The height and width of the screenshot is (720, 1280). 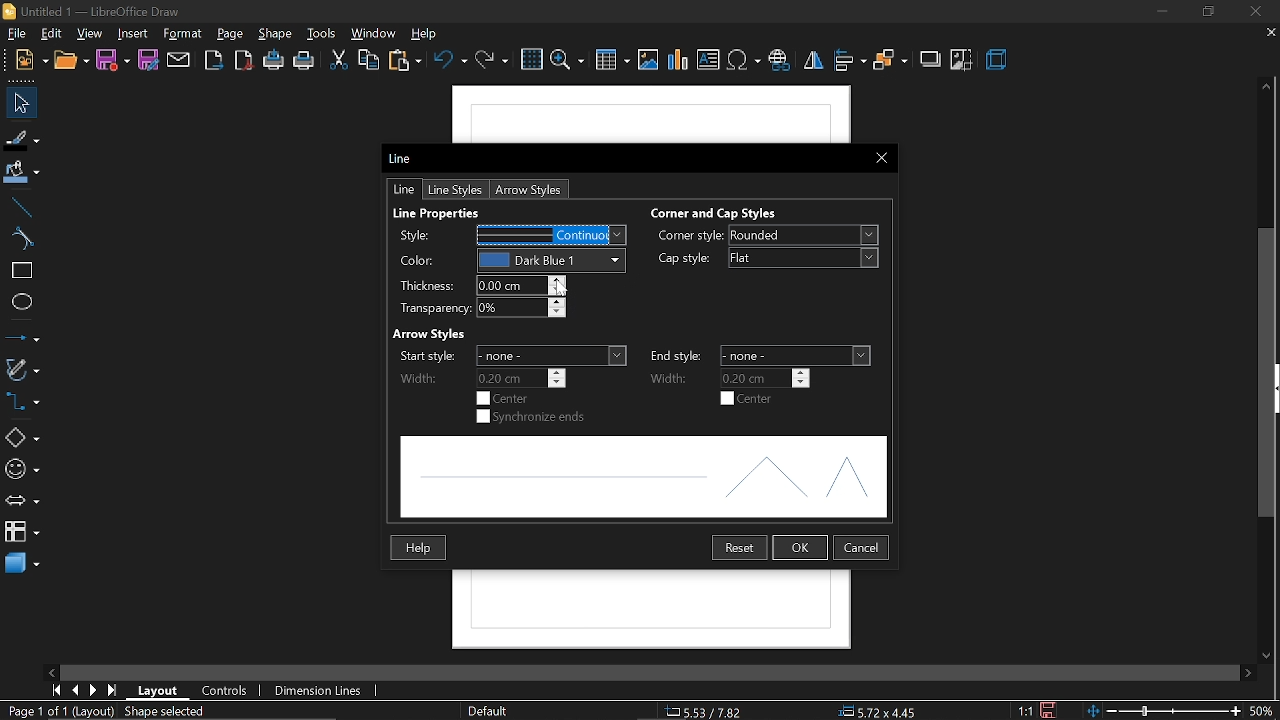 I want to click on save, so click(x=1048, y=710).